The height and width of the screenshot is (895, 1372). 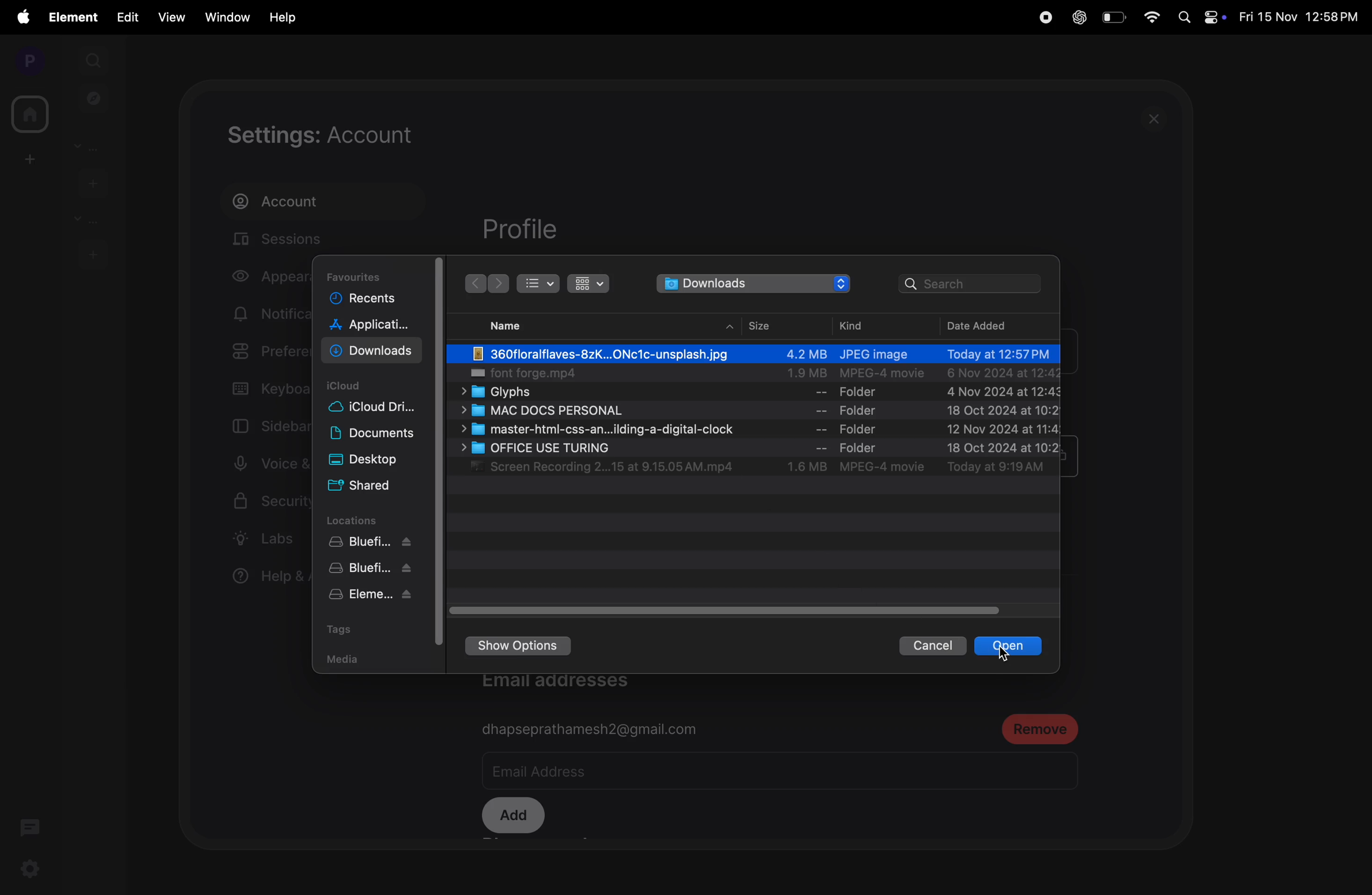 What do you see at coordinates (225, 16) in the screenshot?
I see `window` at bounding box center [225, 16].